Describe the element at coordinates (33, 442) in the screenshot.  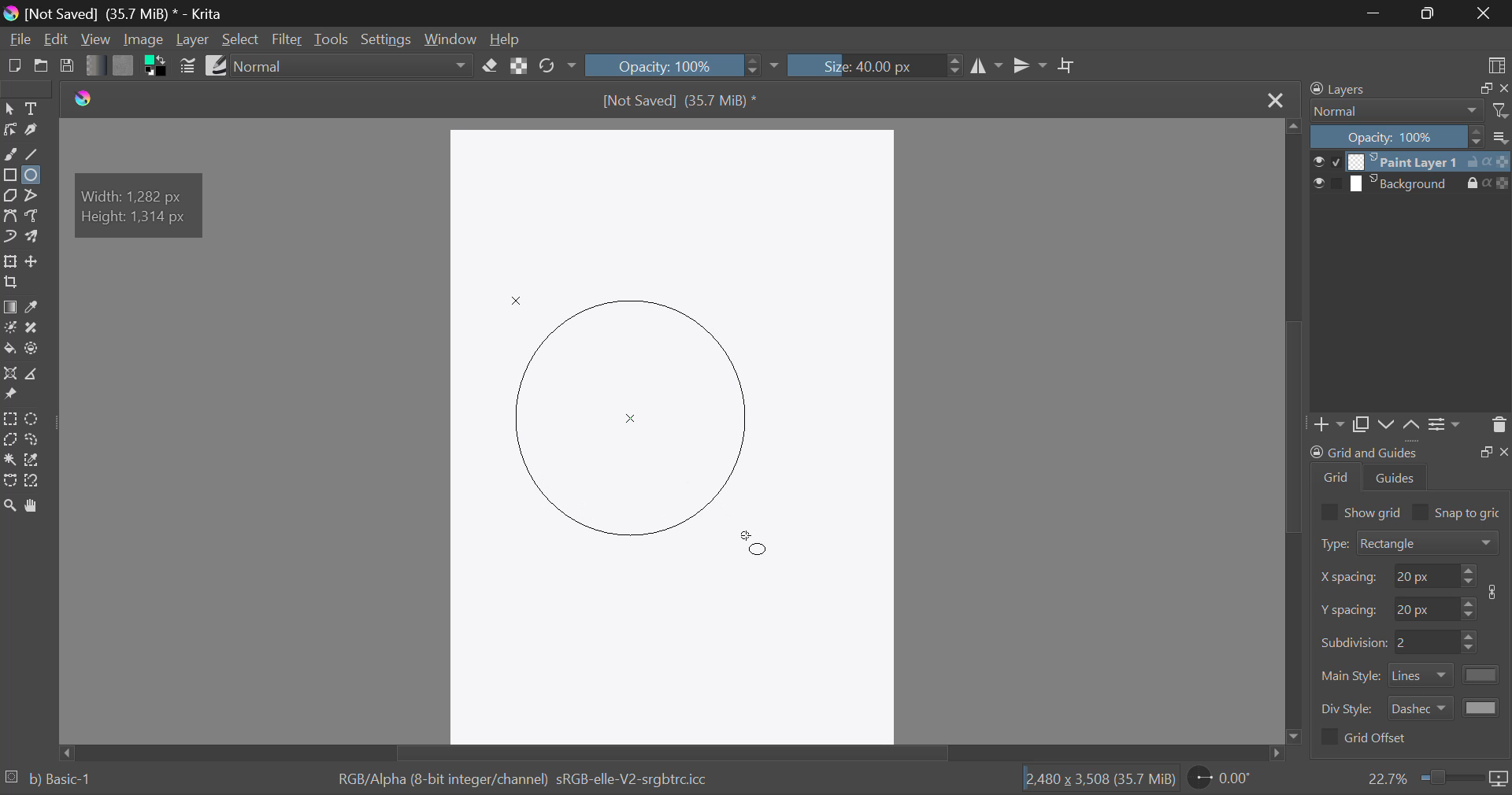
I see `Freehand Selection` at that location.